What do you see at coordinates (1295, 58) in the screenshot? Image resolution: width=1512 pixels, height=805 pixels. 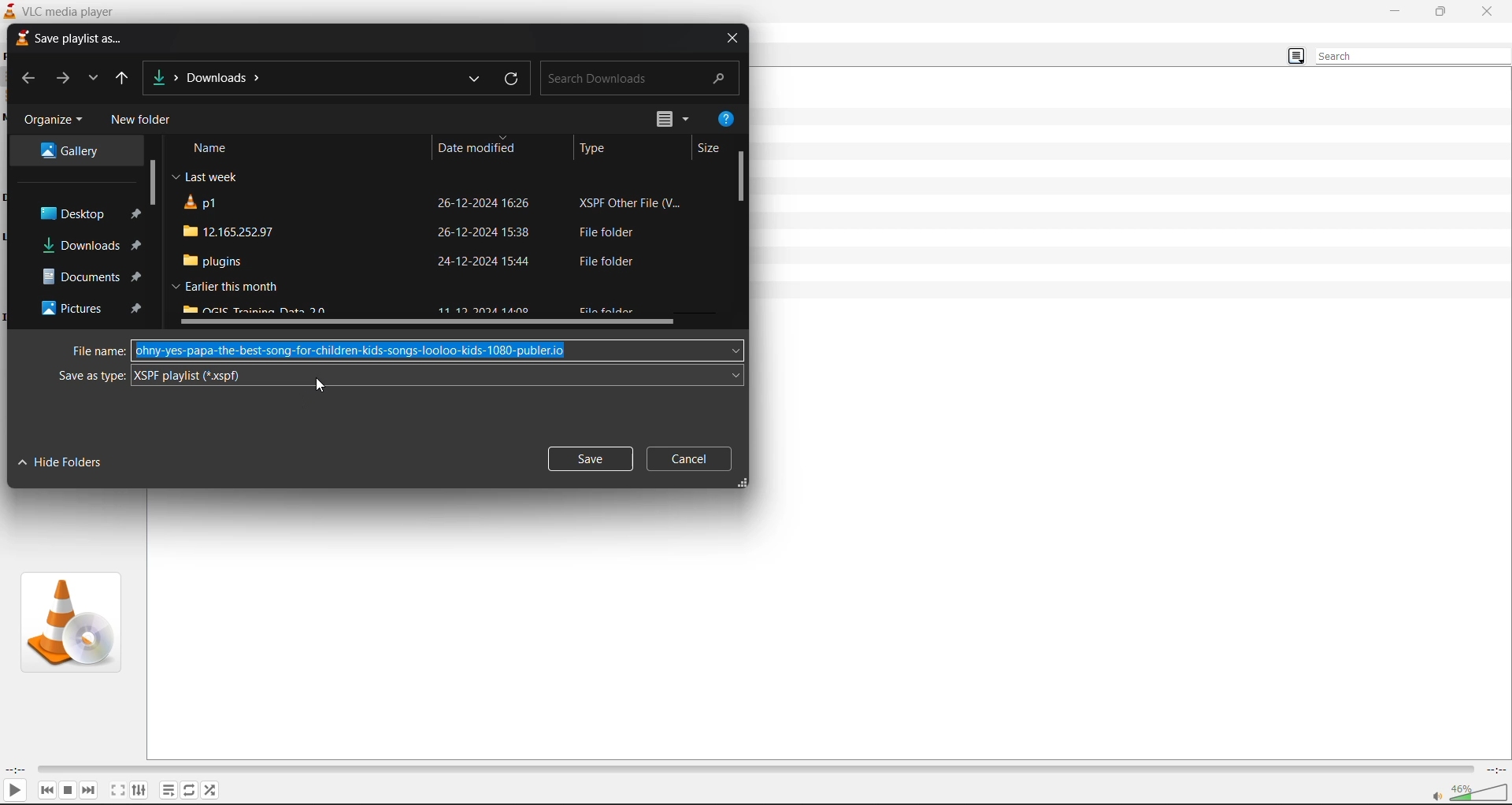 I see `change view` at bounding box center [1295, 58].